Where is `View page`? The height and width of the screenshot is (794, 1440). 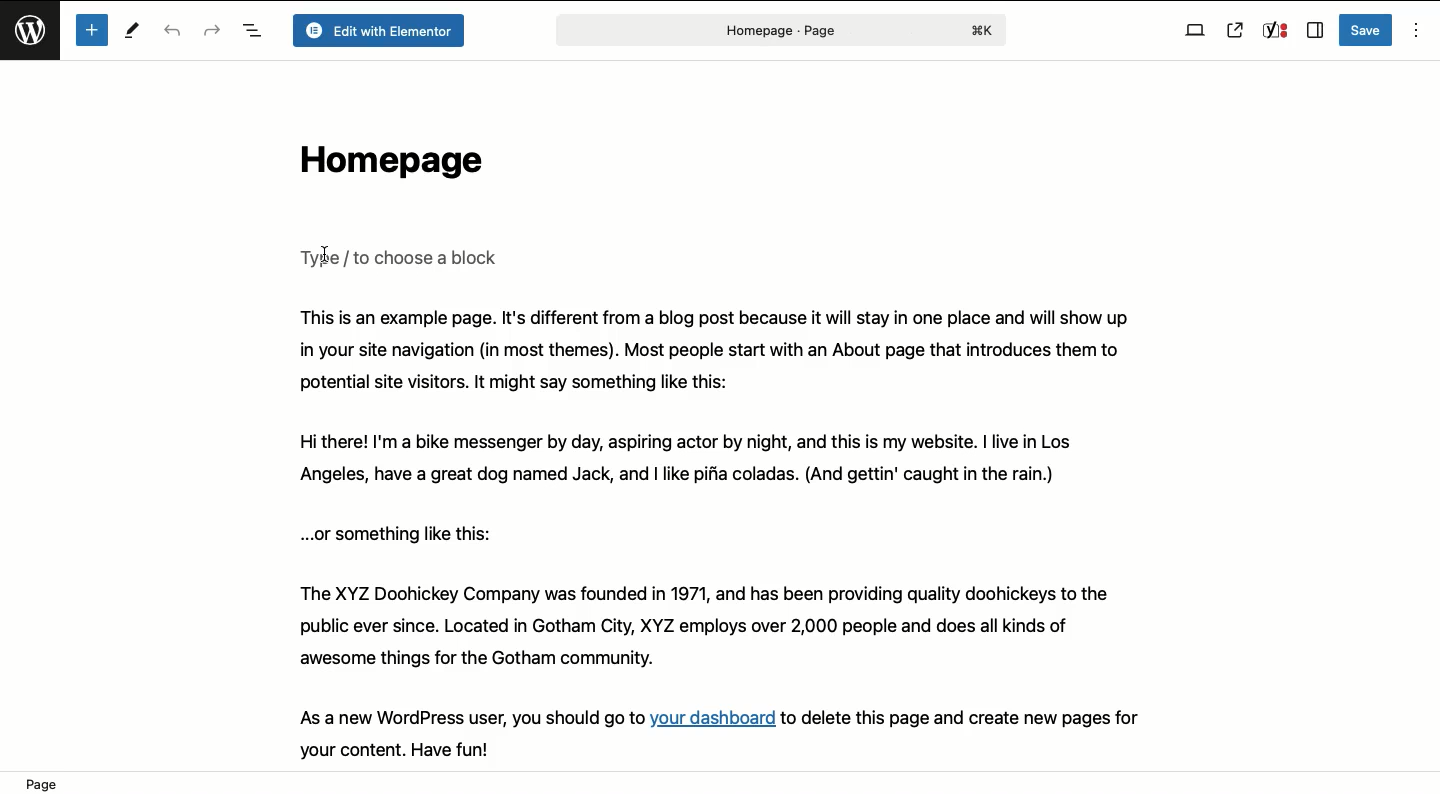
View page is located at coordinates (1235, 30).